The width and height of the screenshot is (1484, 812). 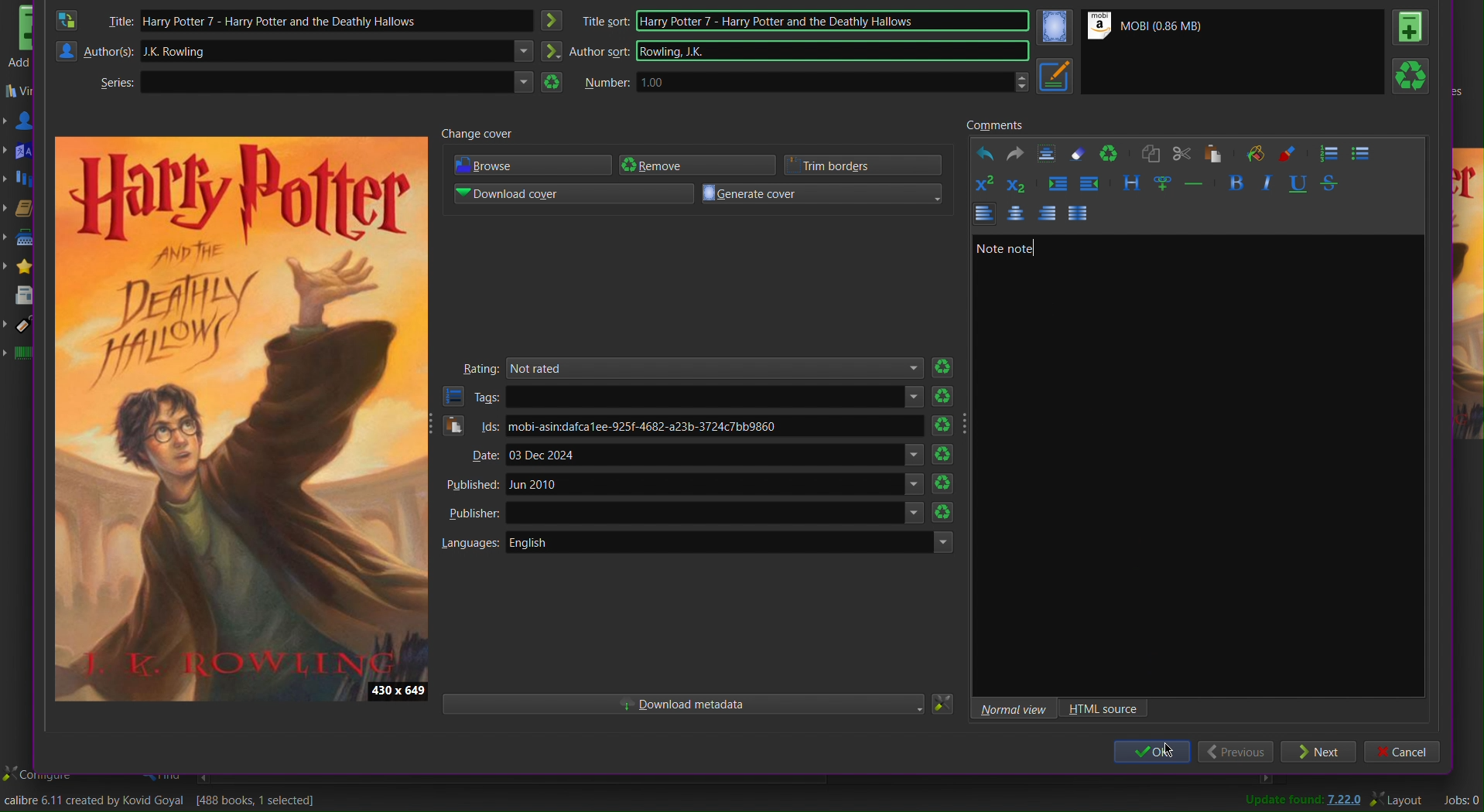 I want to click on Title, so click(x=122, y=19).